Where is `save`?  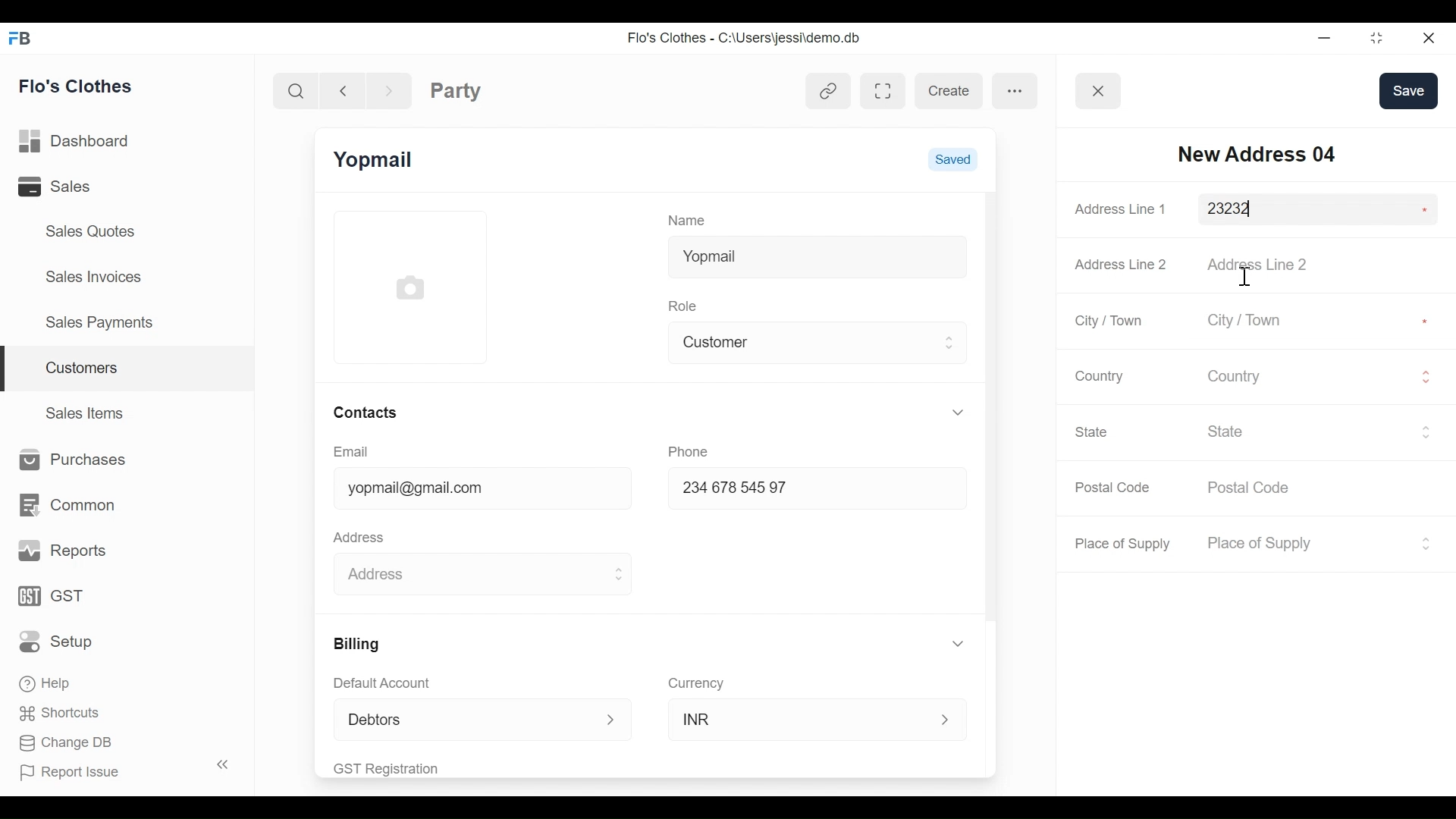
save is located at coordinates (1408, 90).